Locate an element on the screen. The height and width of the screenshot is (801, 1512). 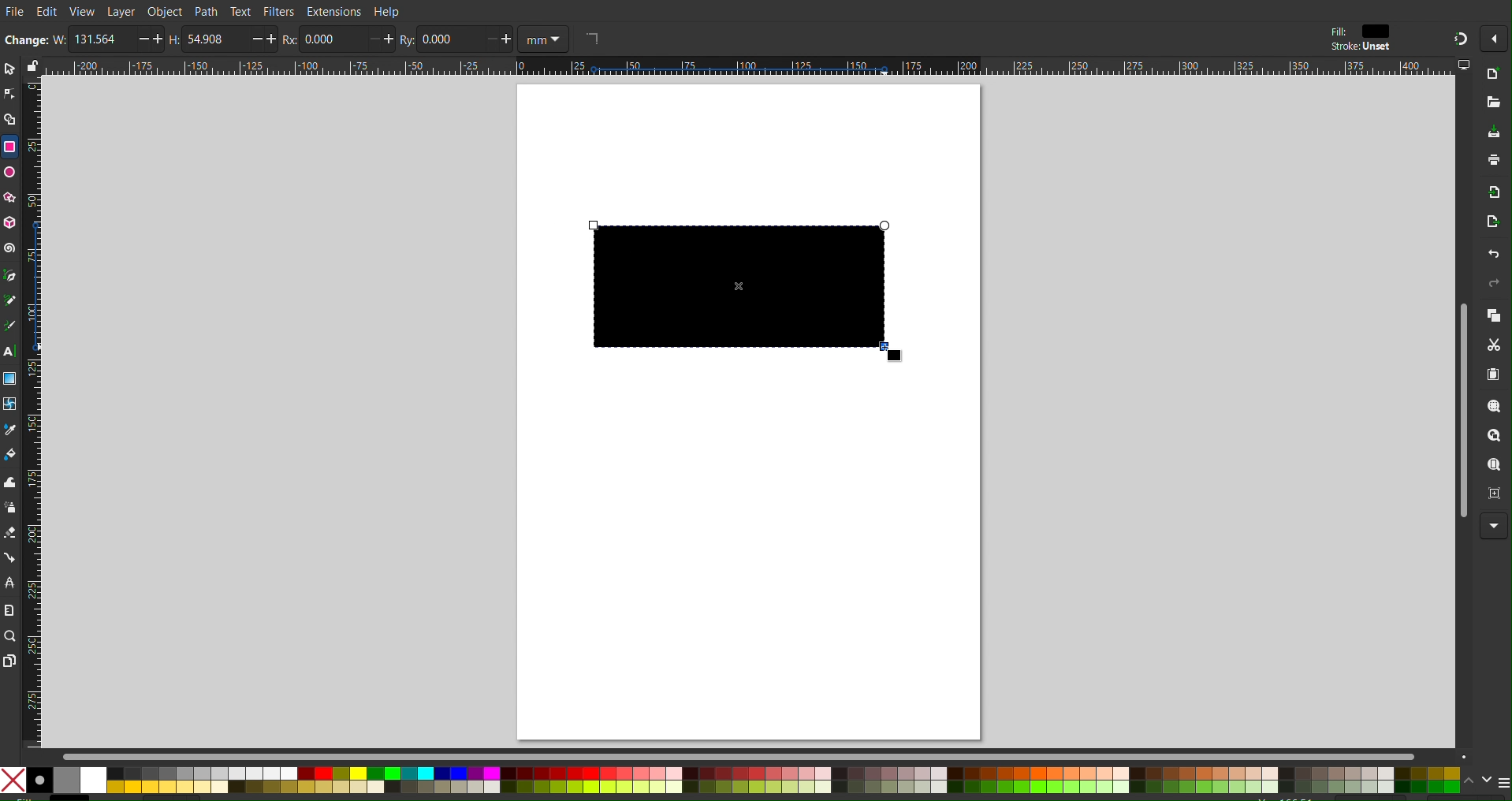
Redo is located at coordinates (1494, 287).